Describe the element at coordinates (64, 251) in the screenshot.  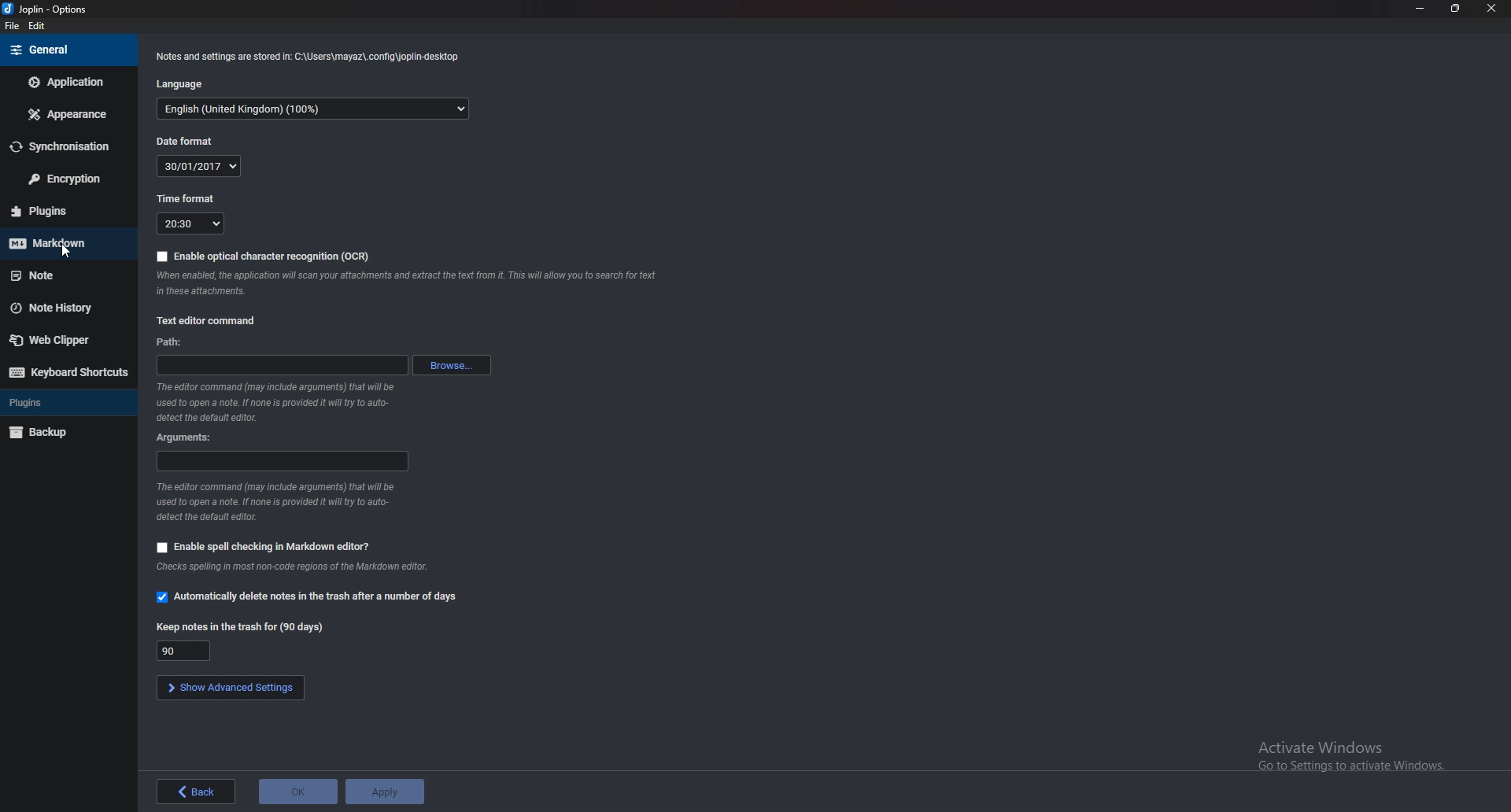
I see `Pointer` at that location.